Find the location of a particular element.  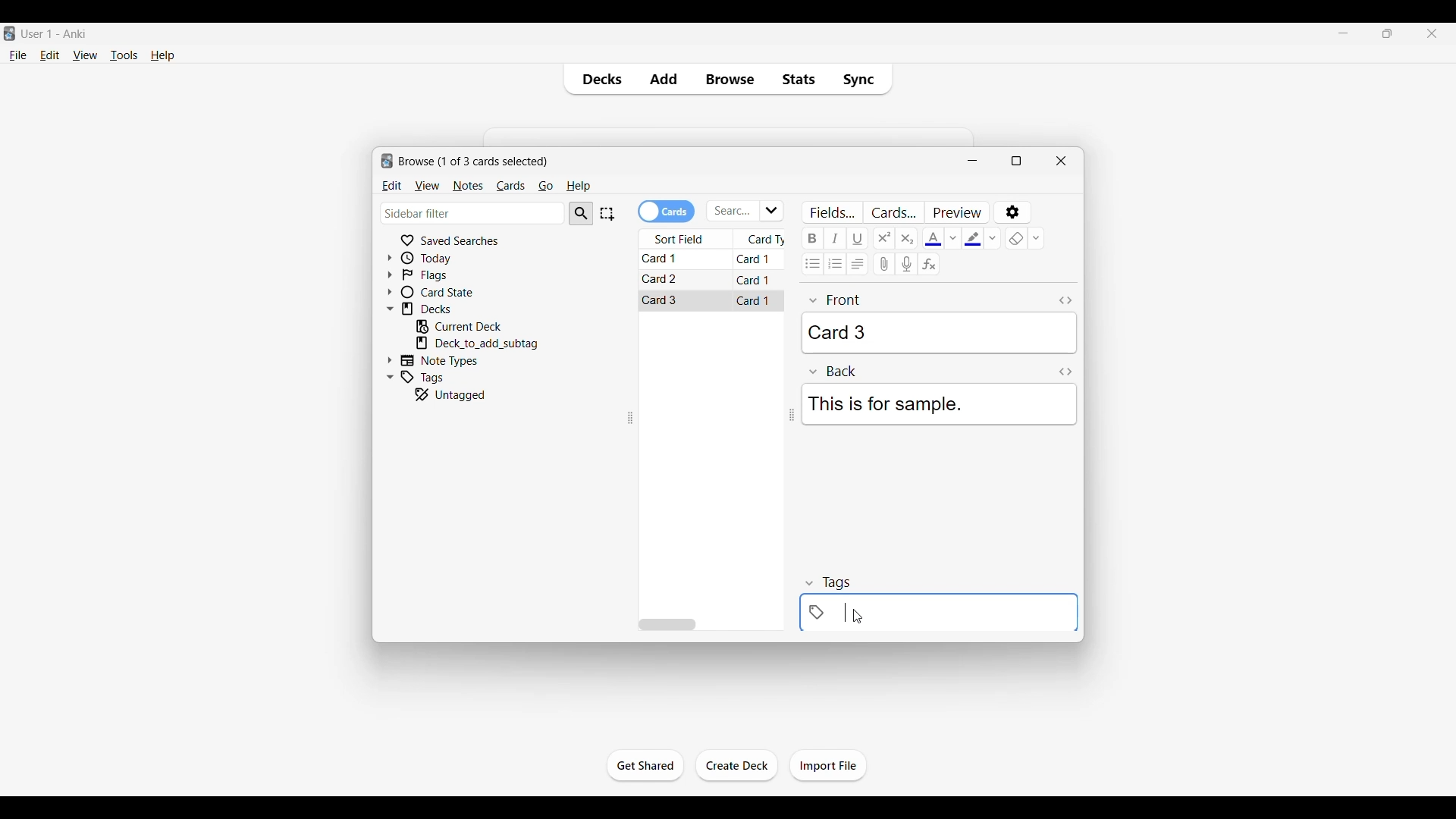

Help menu is located at coordinates (578, 187).